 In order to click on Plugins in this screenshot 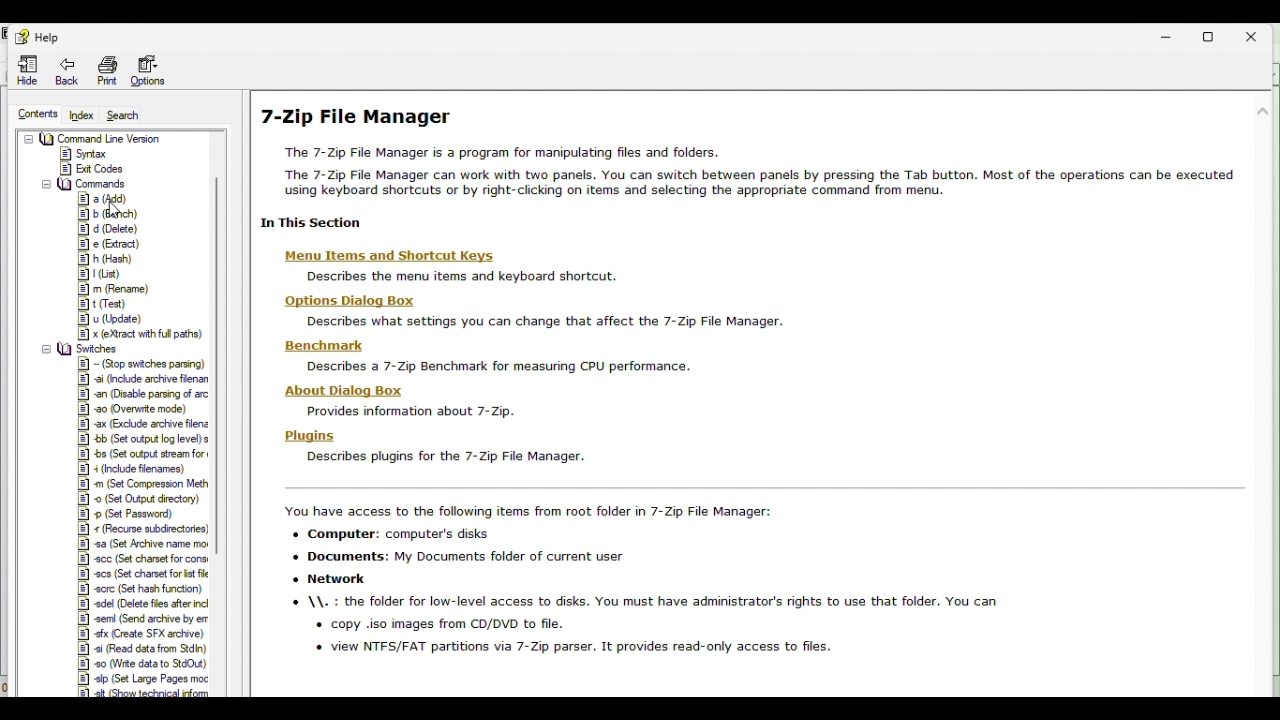, I will do `click(309, 436)`.